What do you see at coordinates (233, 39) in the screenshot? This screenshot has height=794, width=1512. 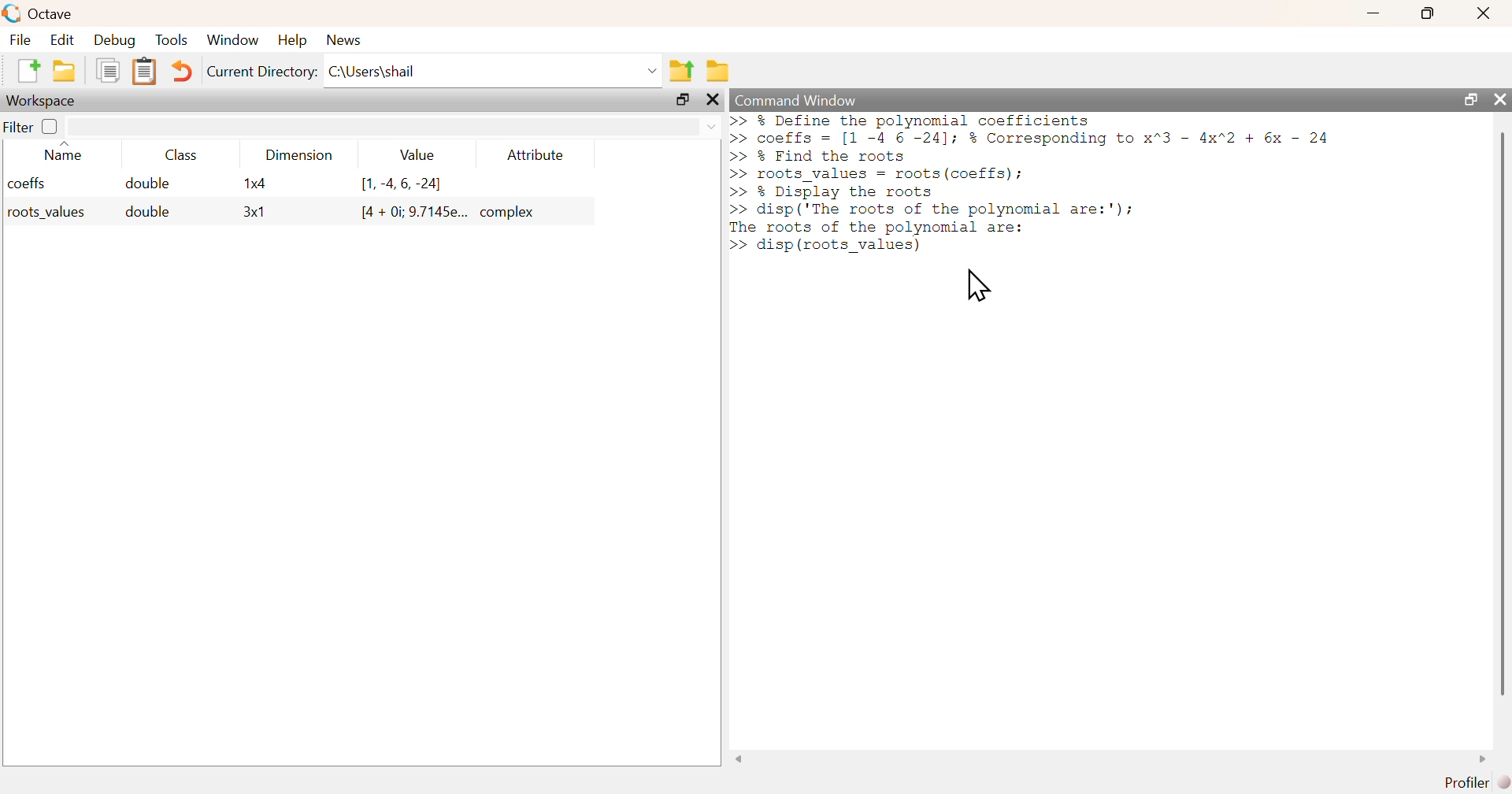 I see `Window` at bounding box center [233, 39].